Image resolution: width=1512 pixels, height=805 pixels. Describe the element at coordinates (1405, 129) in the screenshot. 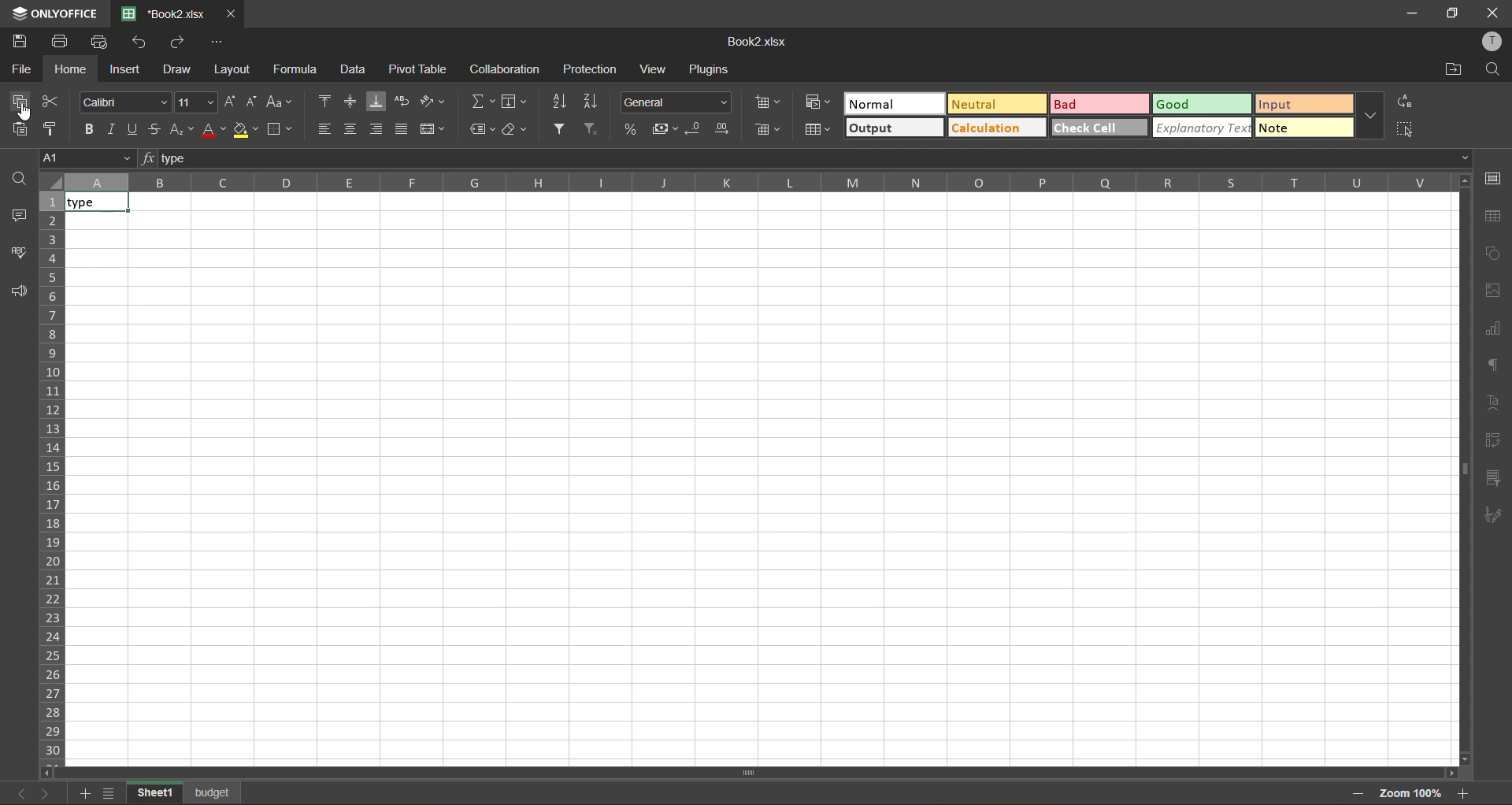

I see `select all` at that location.